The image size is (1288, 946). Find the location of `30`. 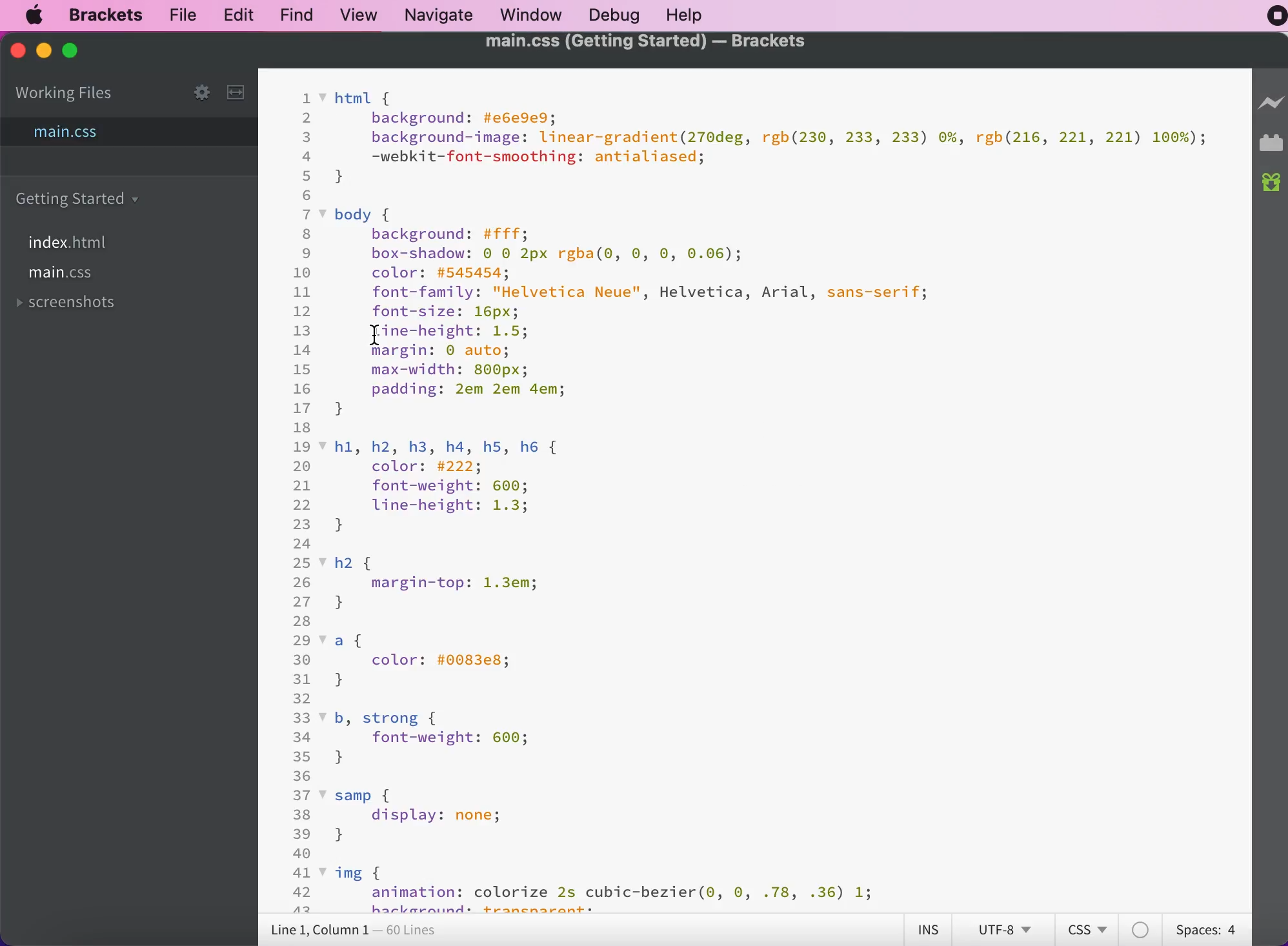

30 is located at coordinates (302, 660).